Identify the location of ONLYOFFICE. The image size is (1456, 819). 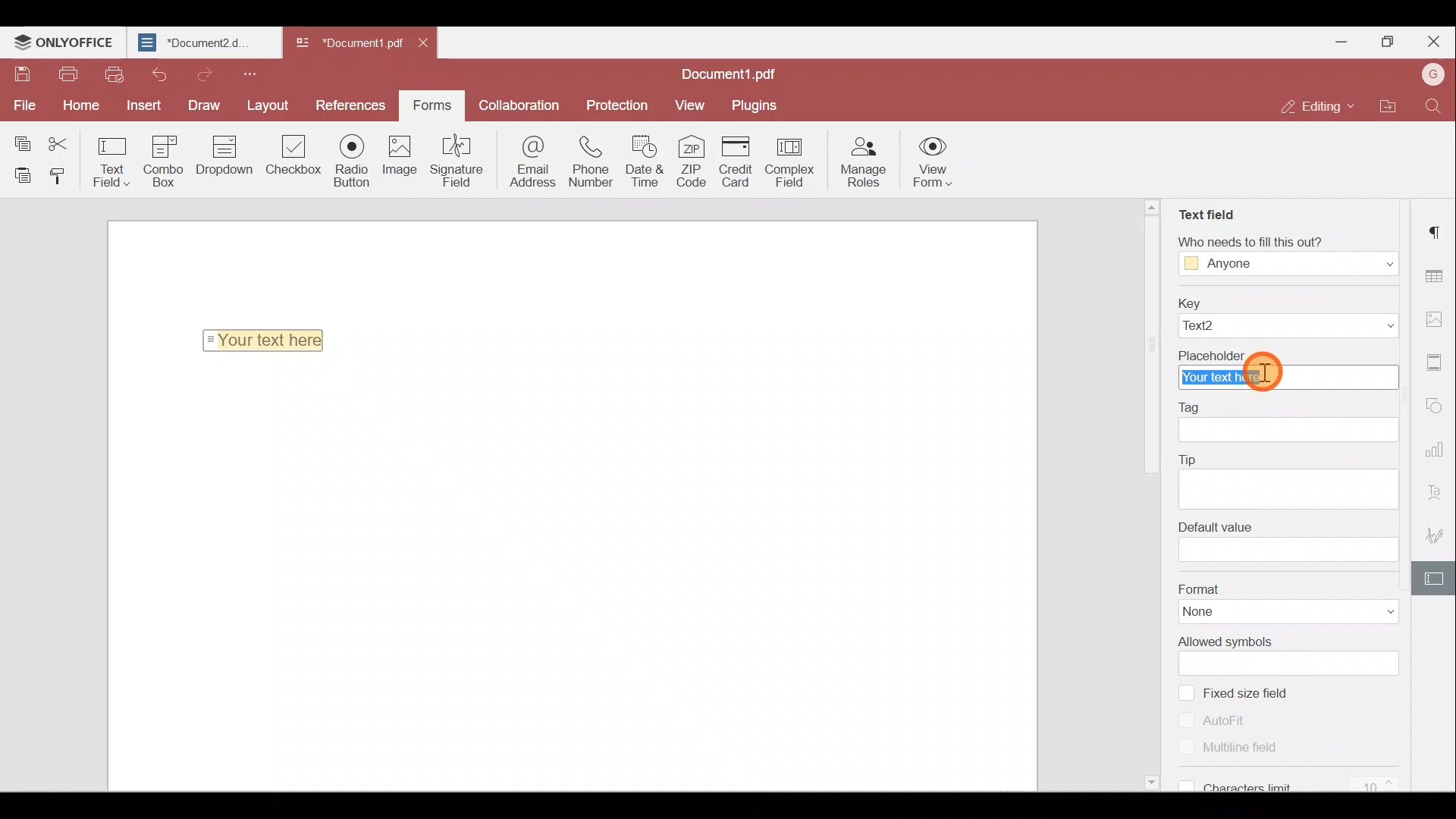
(64, 42).